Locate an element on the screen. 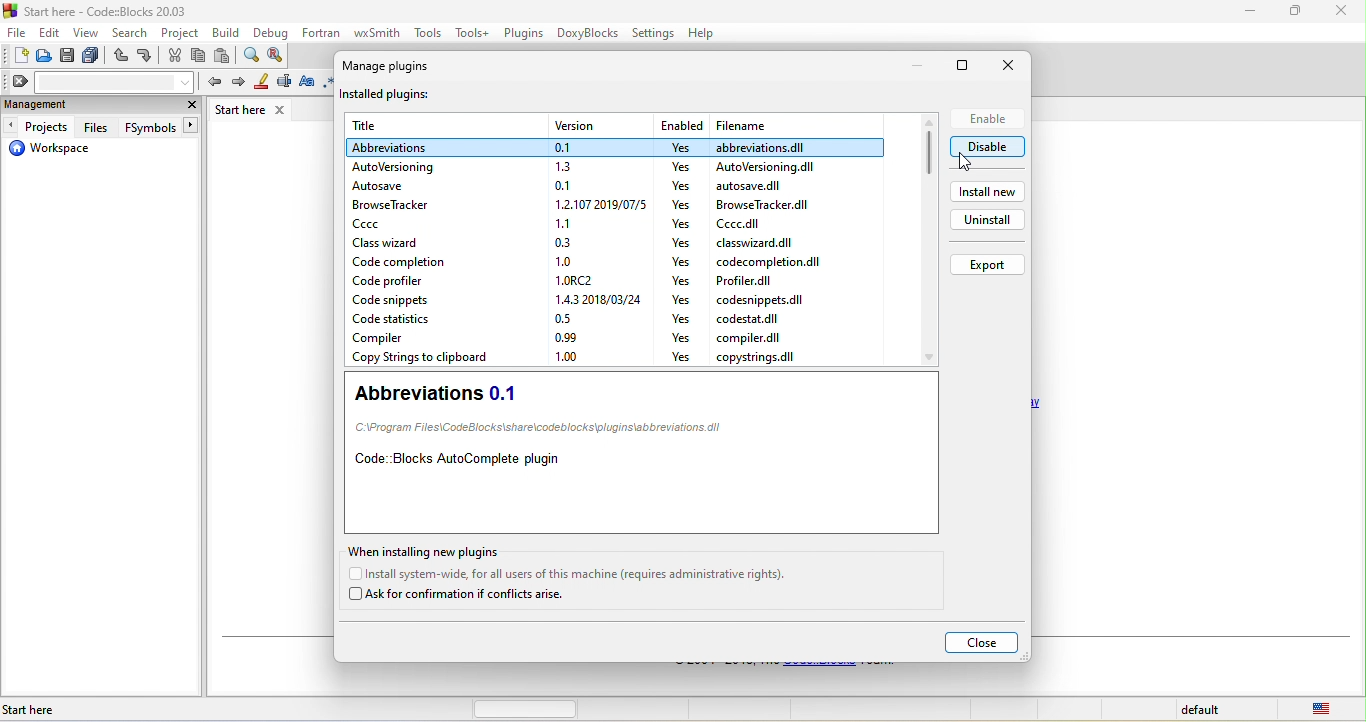 Image resolution: width=1366 pixels, height=722 pixels. version  is located at coordinates (566, 317).